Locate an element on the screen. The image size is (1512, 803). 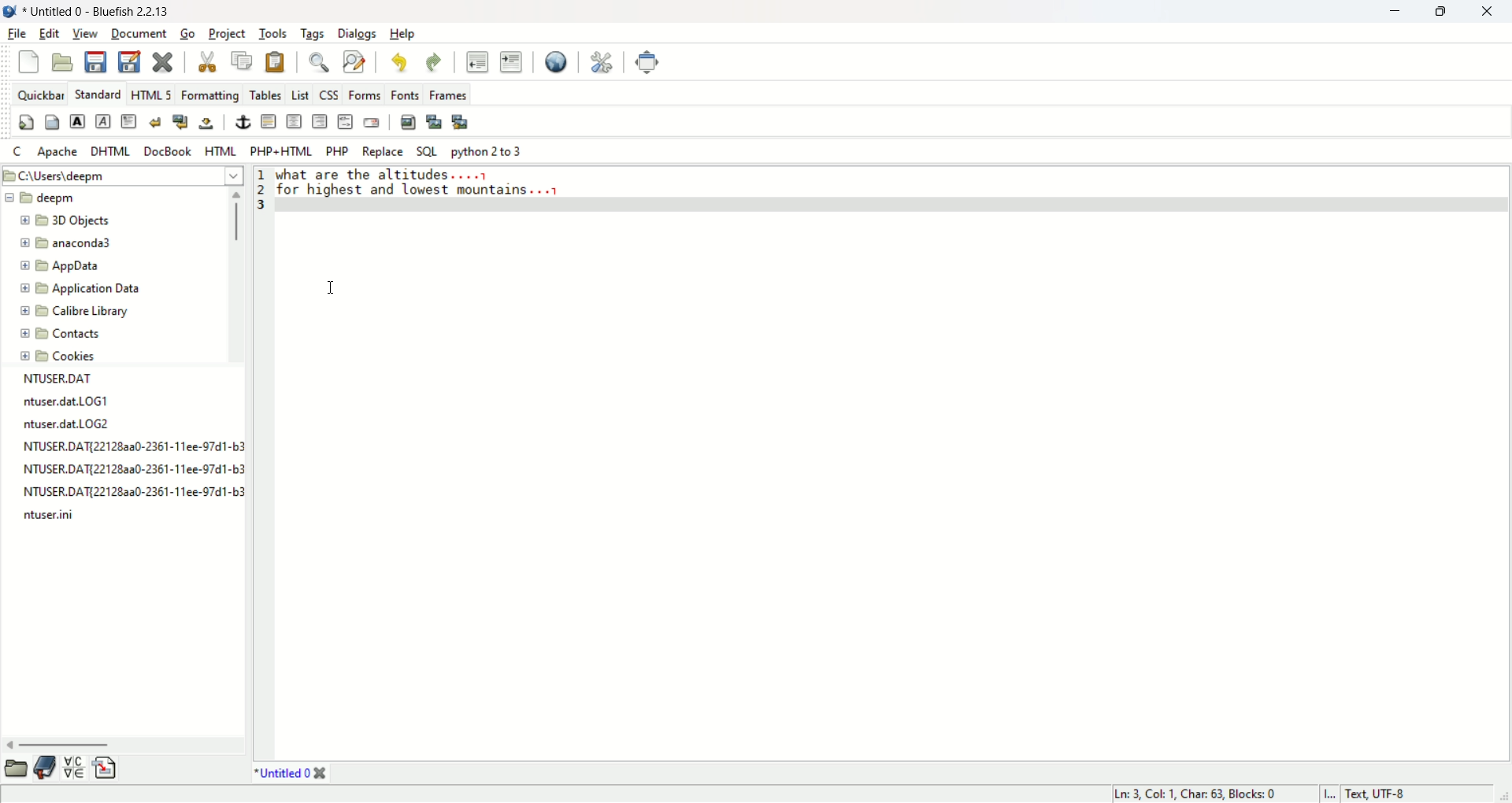
paragraph is located at coordinates (128, 124).